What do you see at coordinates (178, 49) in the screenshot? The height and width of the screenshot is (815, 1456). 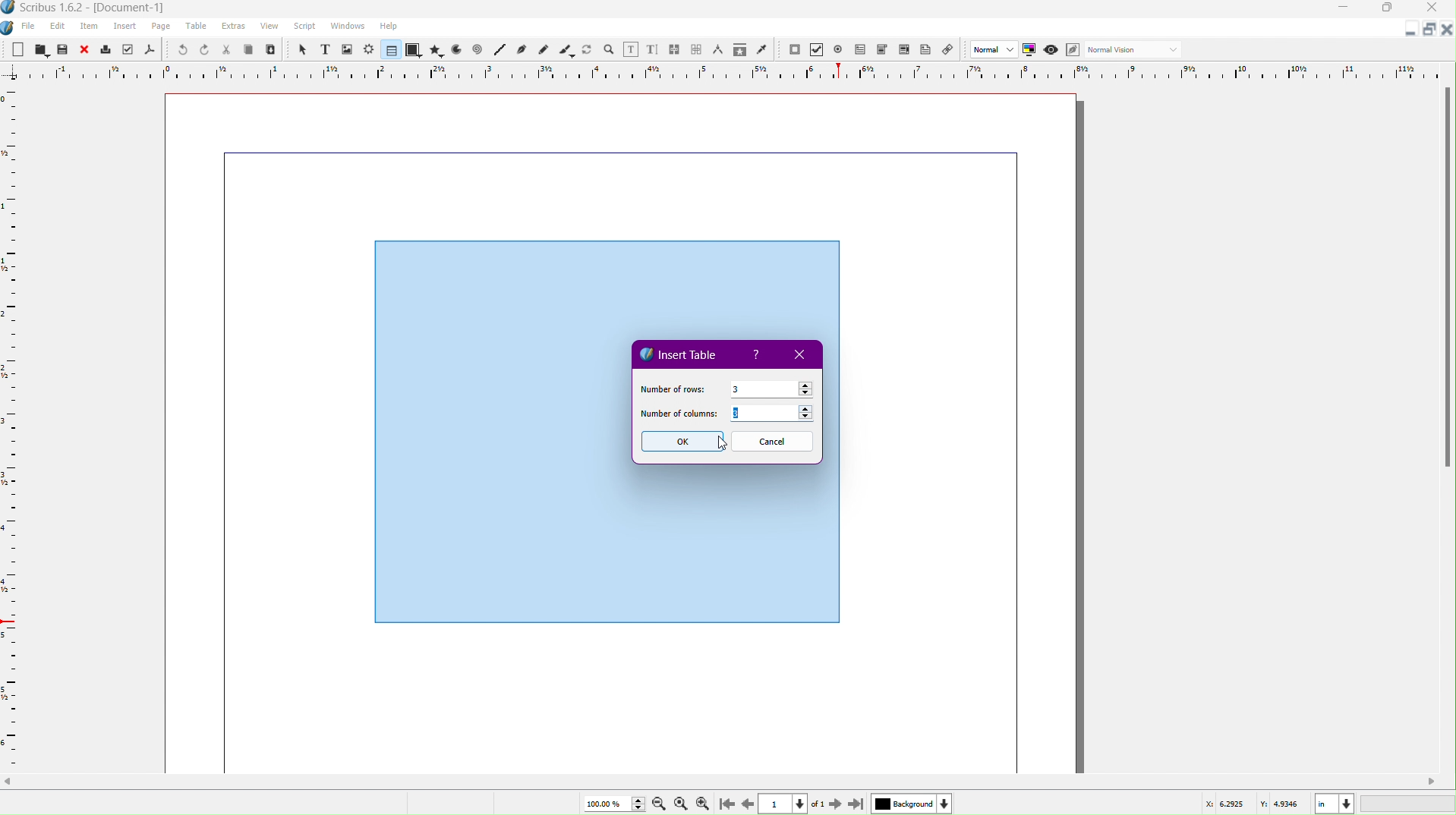 I see `Undo` at bounding box center [178, 49].